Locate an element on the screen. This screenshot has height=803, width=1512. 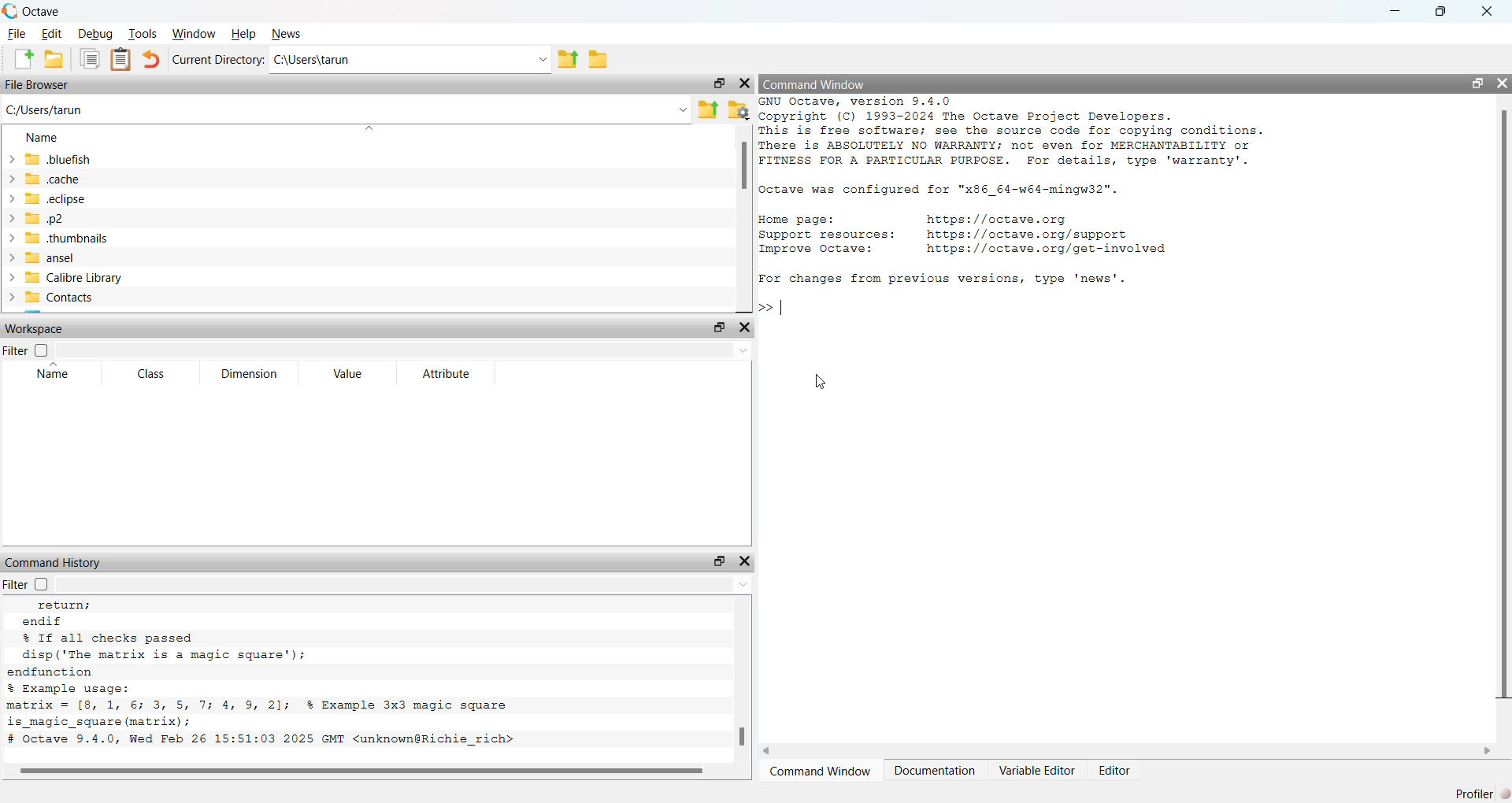
File is located at coordinates (17, 34).